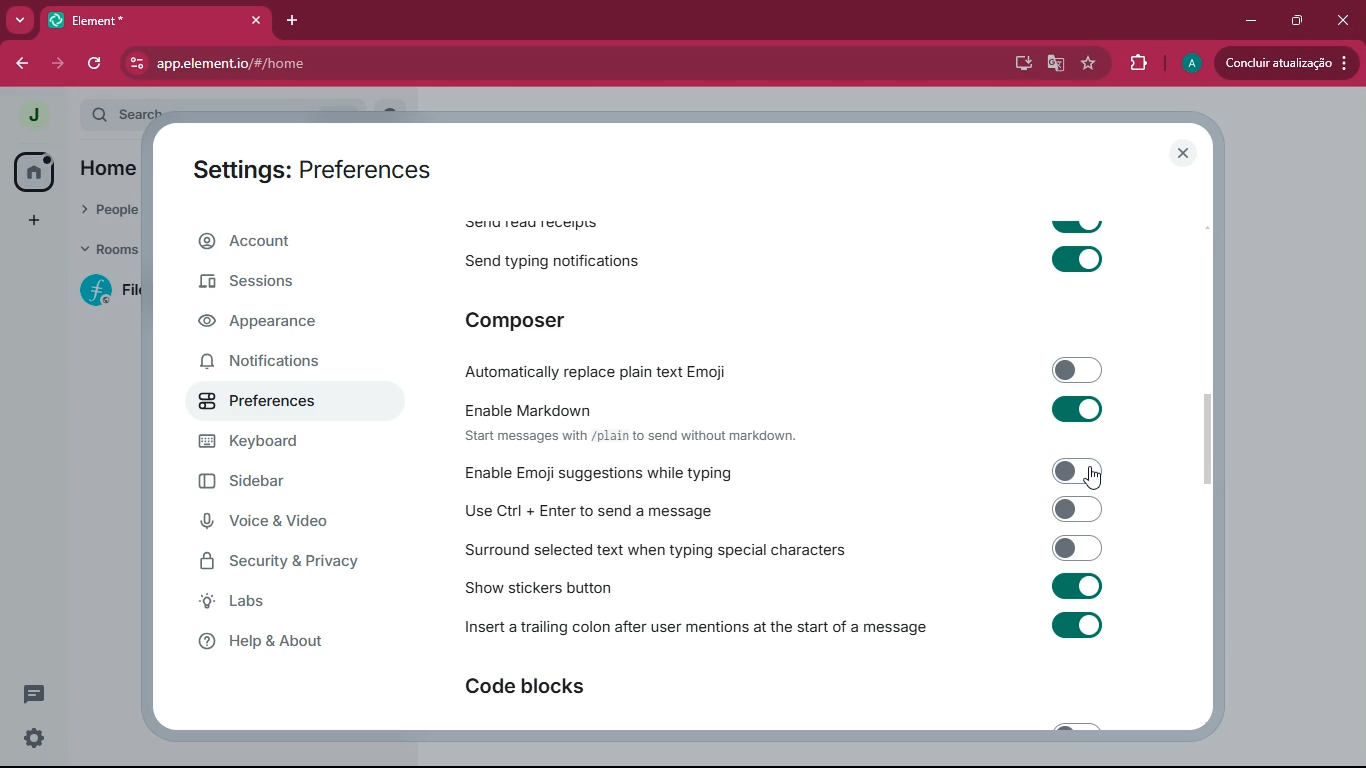 This screenshot has width=1366, height=768. Describe the element at coordinates (268, 285) in the screenshot. I see `sessions` at that location.